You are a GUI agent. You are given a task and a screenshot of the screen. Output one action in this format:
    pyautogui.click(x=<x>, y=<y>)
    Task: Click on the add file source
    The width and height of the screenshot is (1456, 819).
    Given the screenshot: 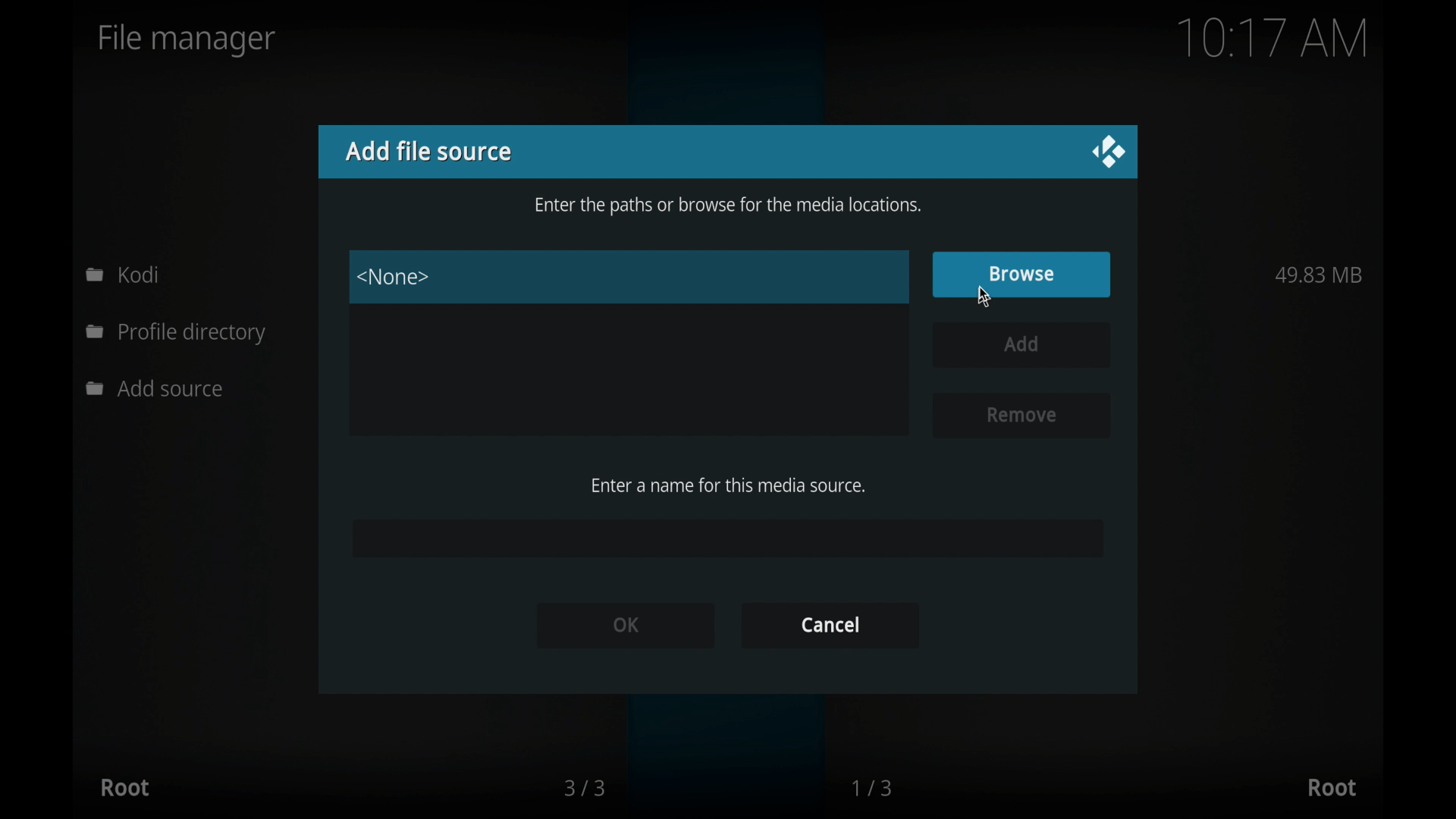 What is the action you would take?
    pyautogui.click(x=428, y=151)
    